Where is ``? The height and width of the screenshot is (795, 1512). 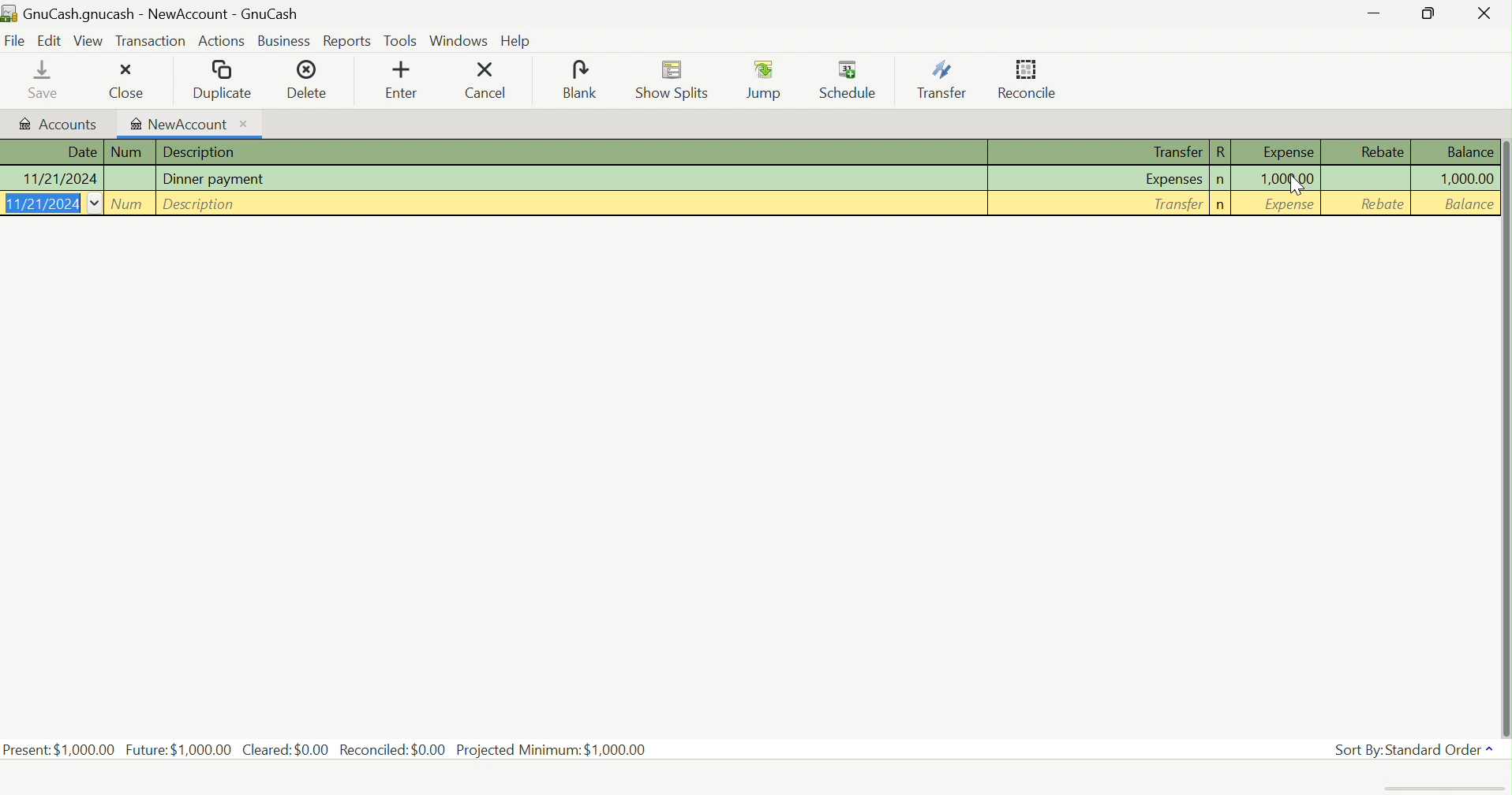  is located at coordinates (1223, 203).